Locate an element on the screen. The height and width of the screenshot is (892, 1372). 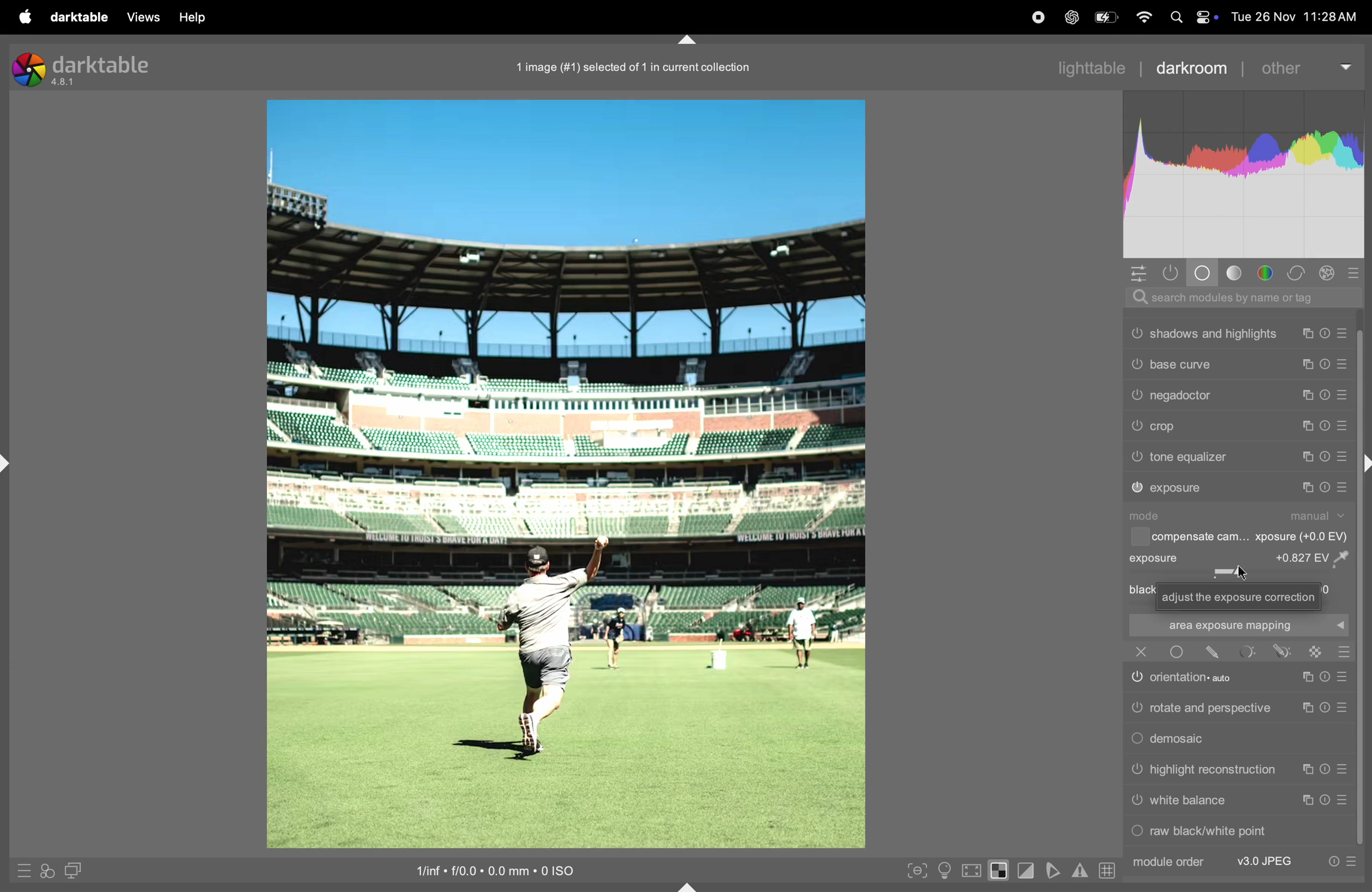
copy is located at coordinates (1305, 770).